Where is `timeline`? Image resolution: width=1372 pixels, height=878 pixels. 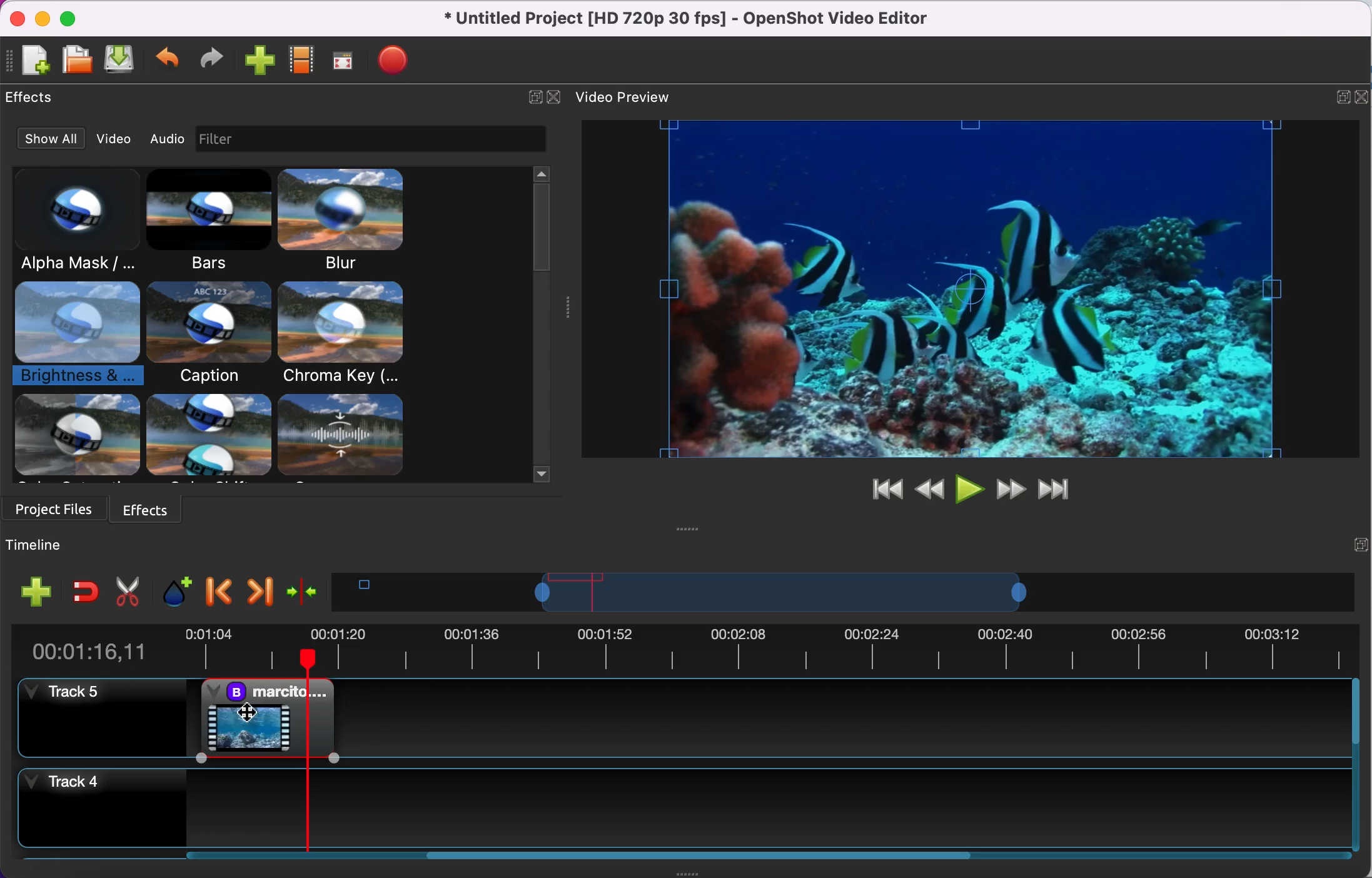
timeline is located at coordinates (67, 544).